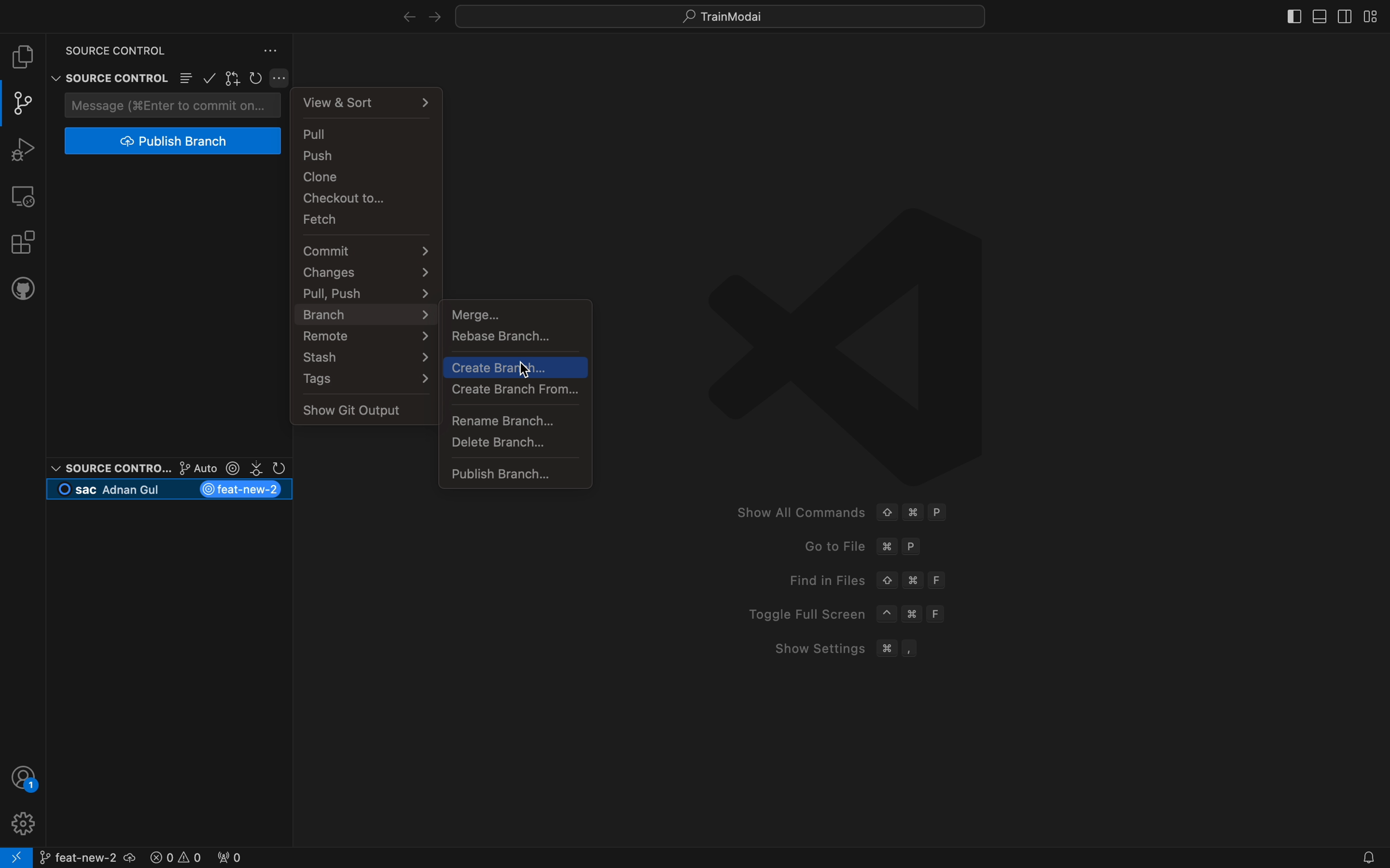 This screenshot has height=868, width=1390. I want to click on pull ,push, so click(369, 292).